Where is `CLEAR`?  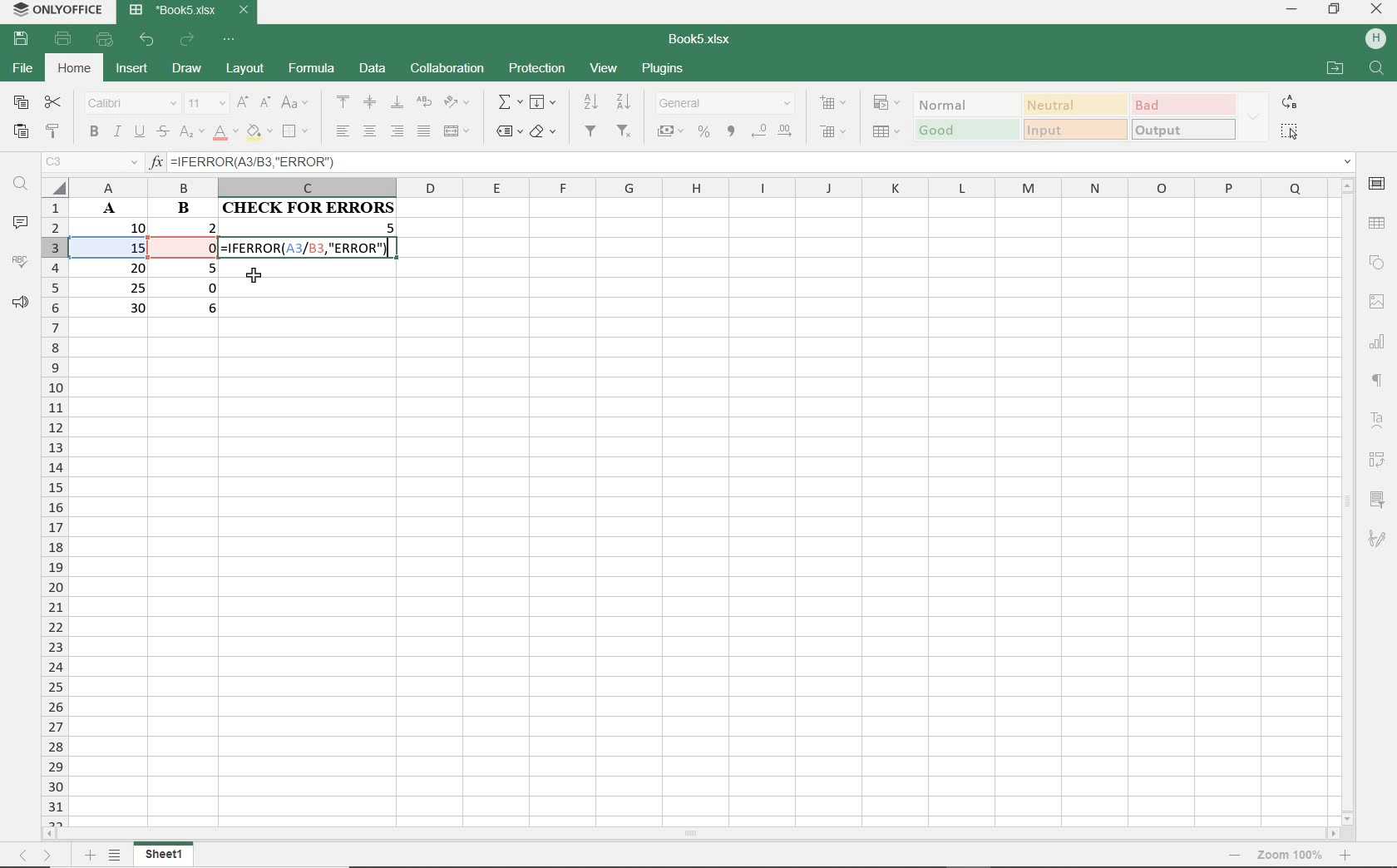
CLEAR is located at coordinates (545, 131).